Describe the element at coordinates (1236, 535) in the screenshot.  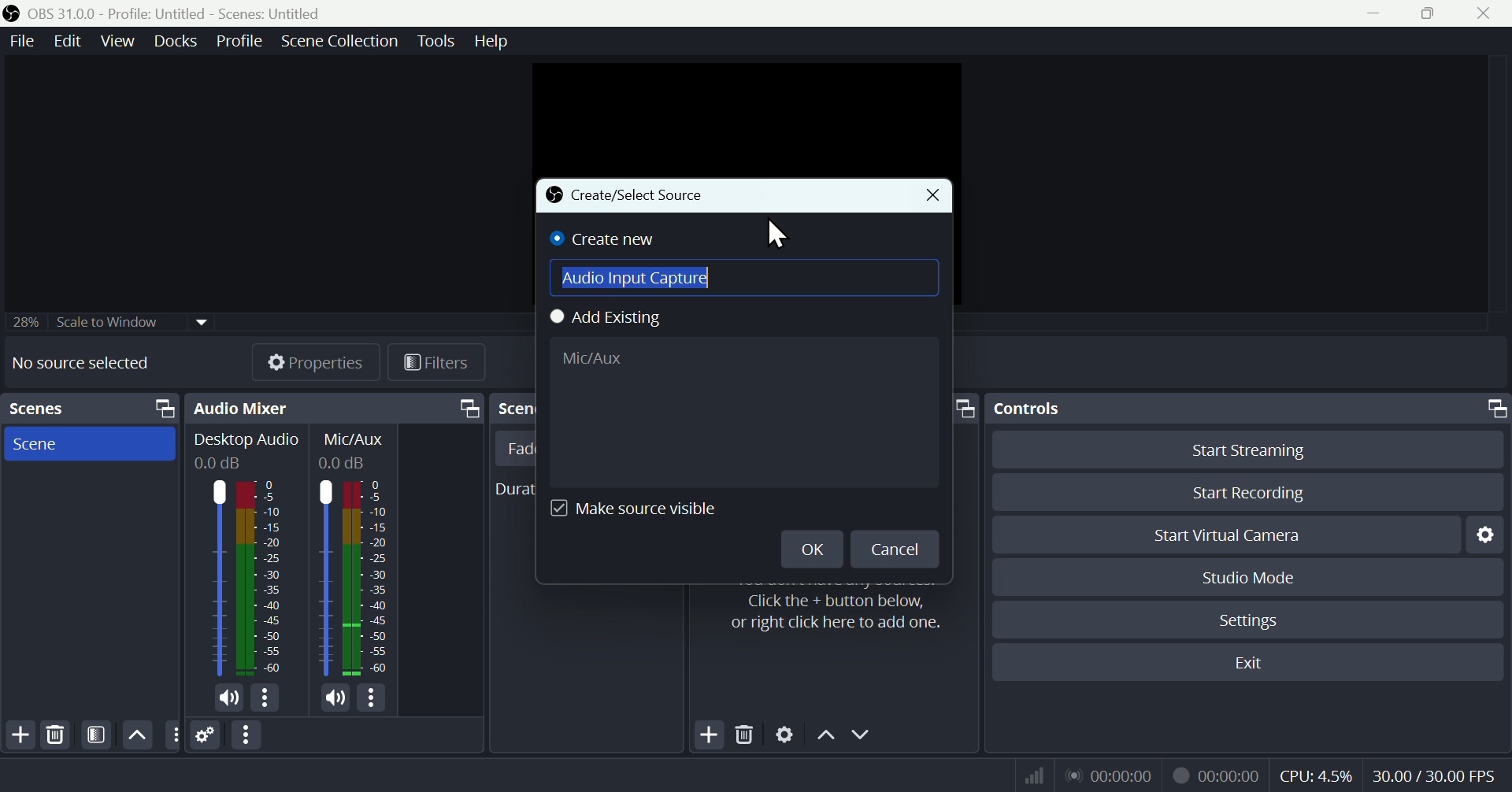
I see `start Virtual camera` at that location.